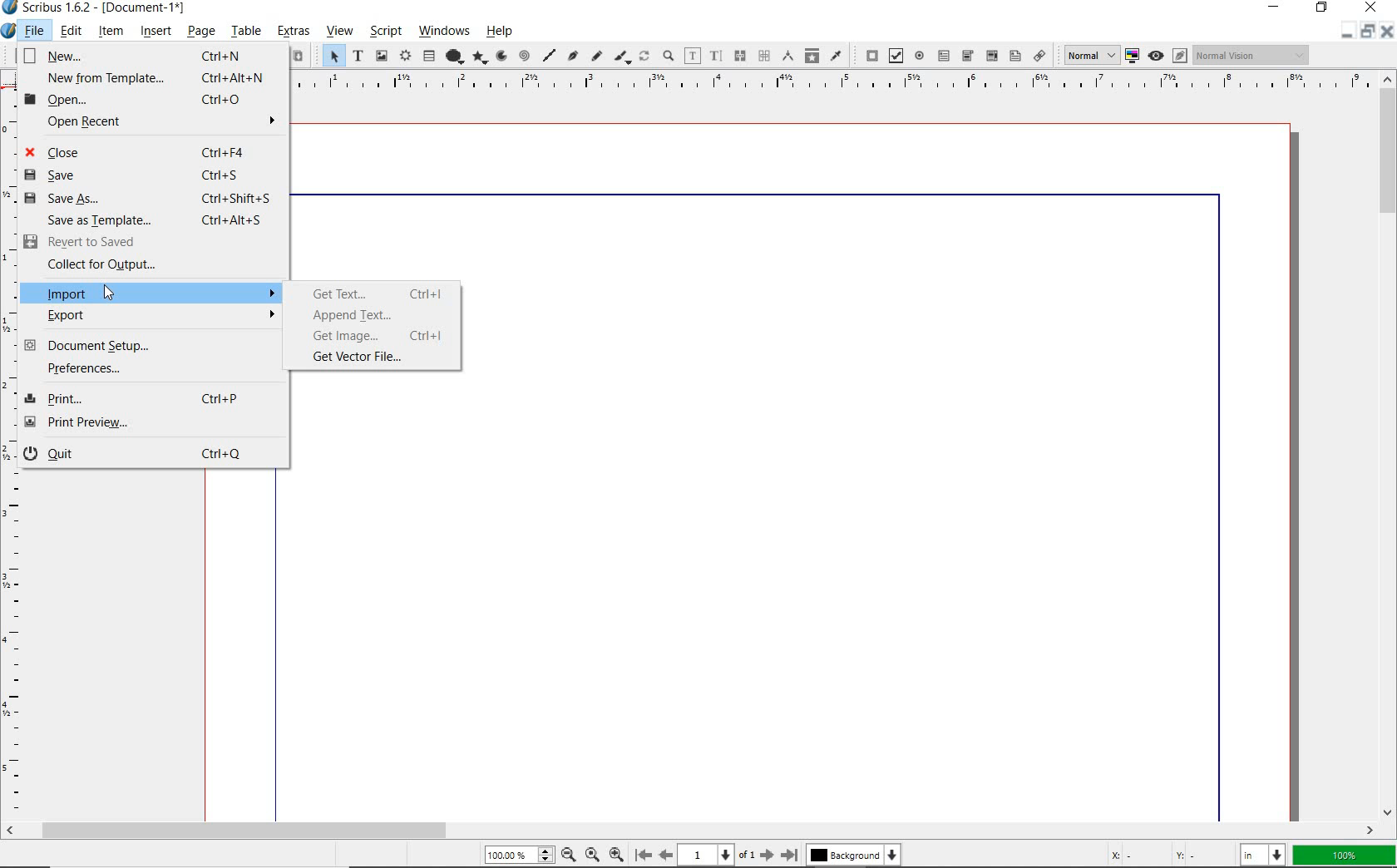 This screenshot has height=868, width=1397. Describe the element at coordinates (156, 242) in the screenshot. I see `Revert to Saved` at that location.